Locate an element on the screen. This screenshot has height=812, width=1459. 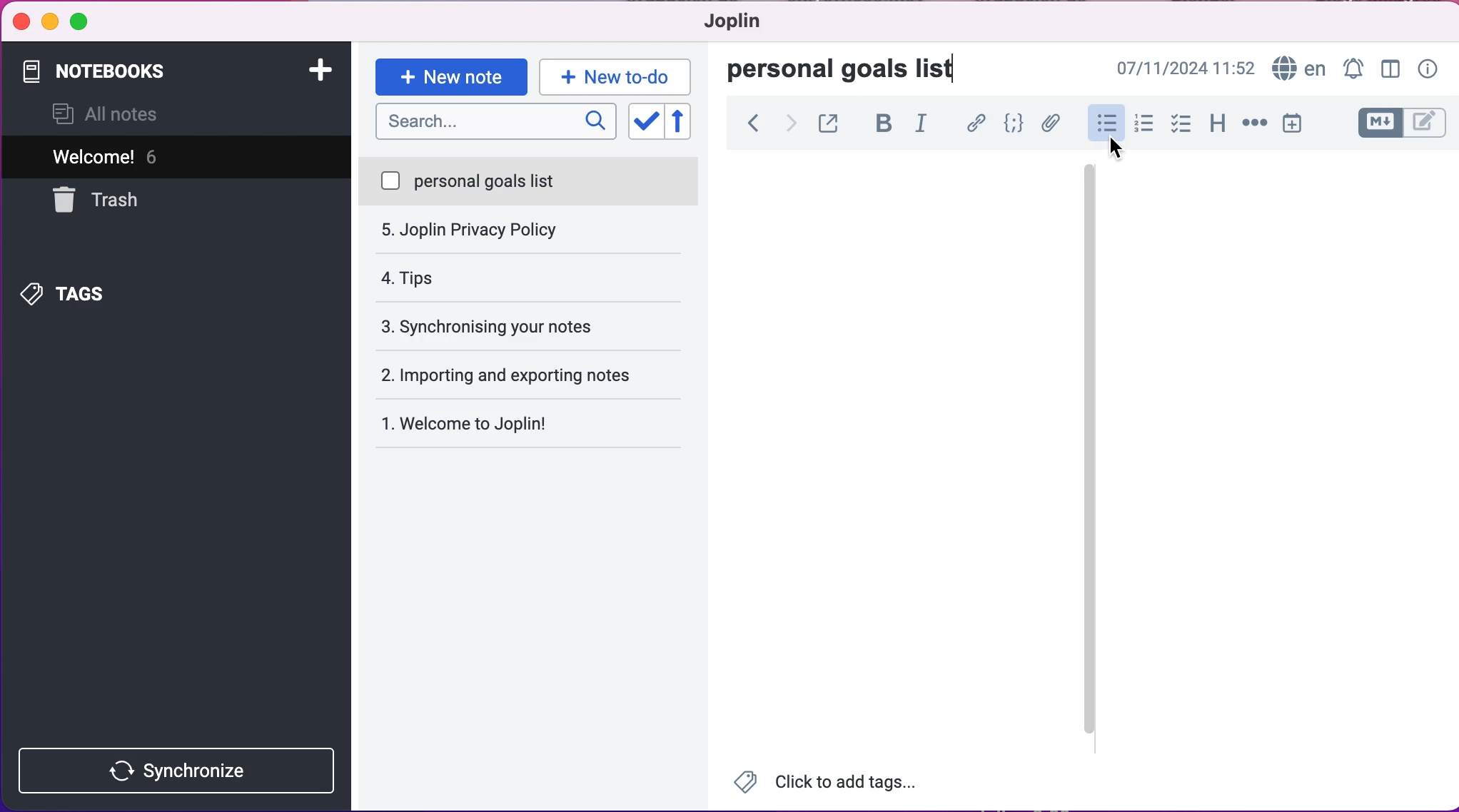
hyperlink is located at coordinates (976, 123).